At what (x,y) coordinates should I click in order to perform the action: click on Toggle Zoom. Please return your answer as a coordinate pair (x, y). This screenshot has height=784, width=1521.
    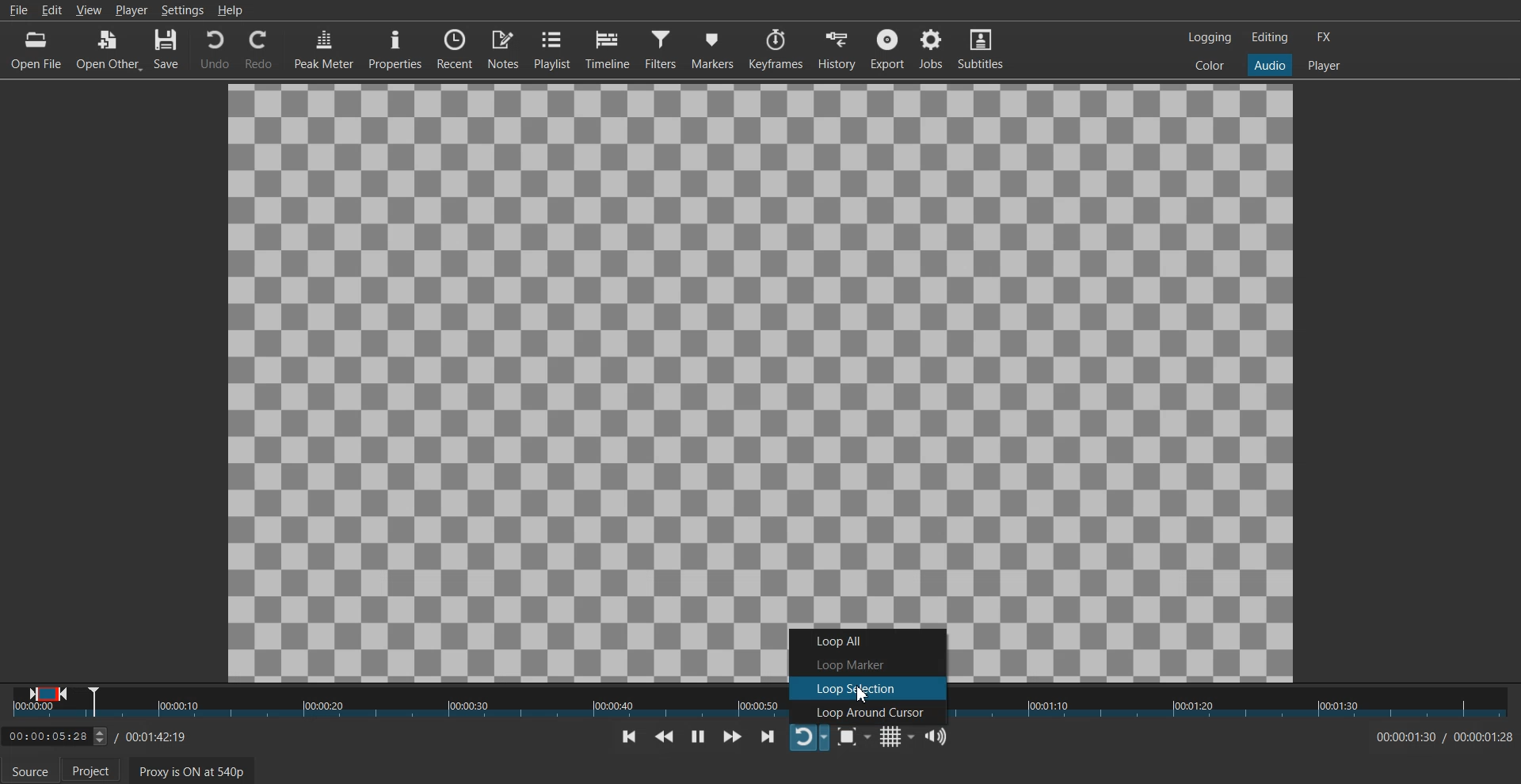
    Looking at the image, I should click on (853, 737).